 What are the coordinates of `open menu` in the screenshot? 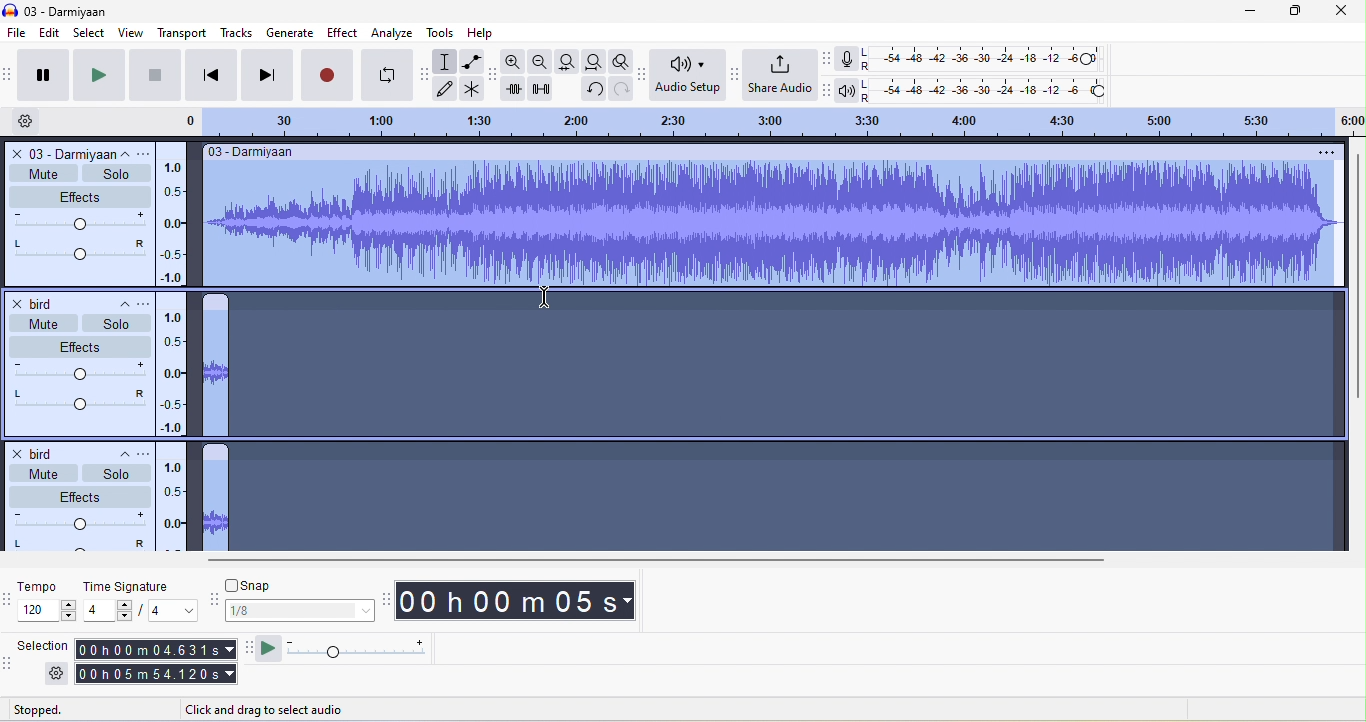 It's located at (149, 302).